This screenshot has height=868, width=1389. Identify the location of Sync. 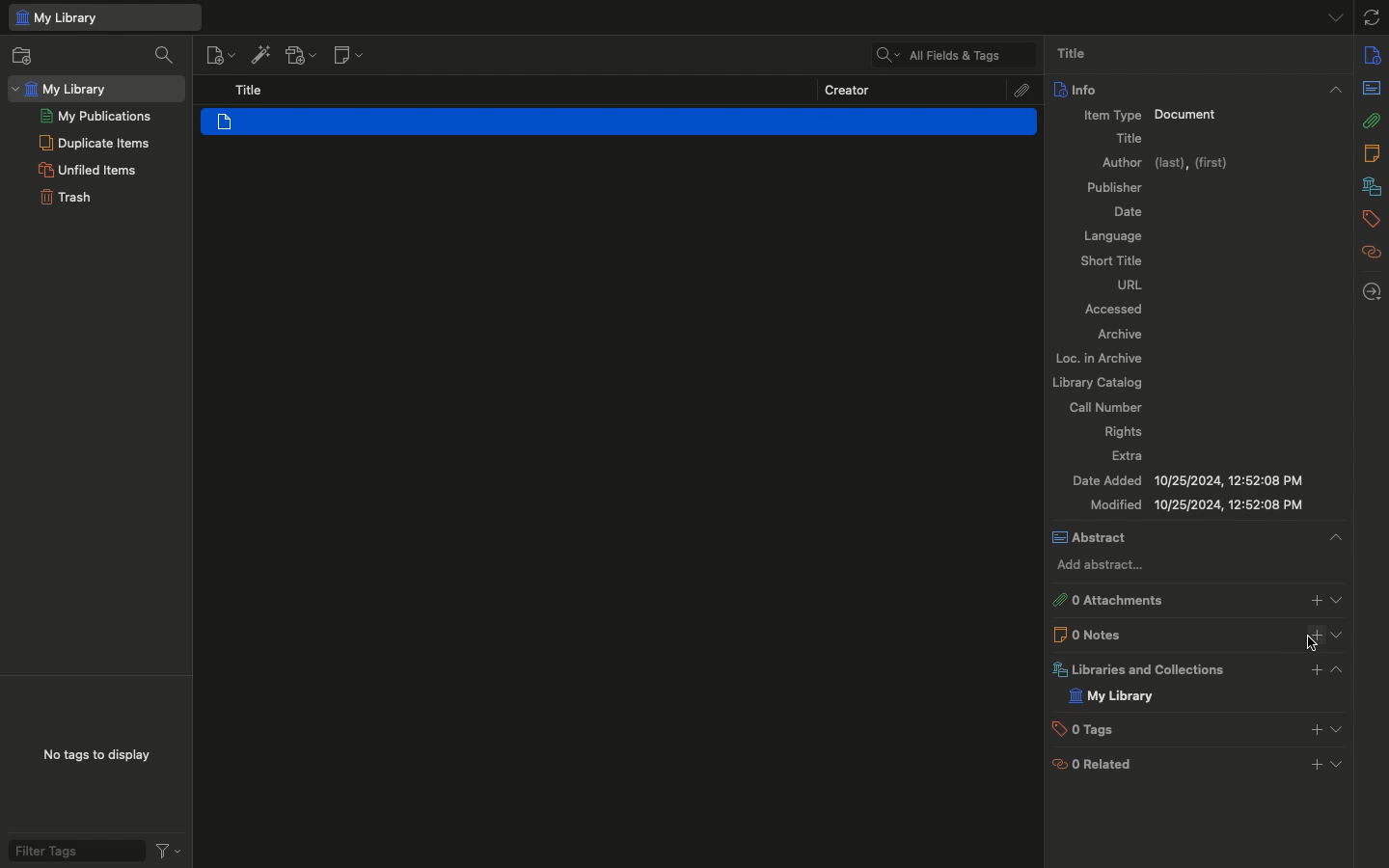
(1374, 14).